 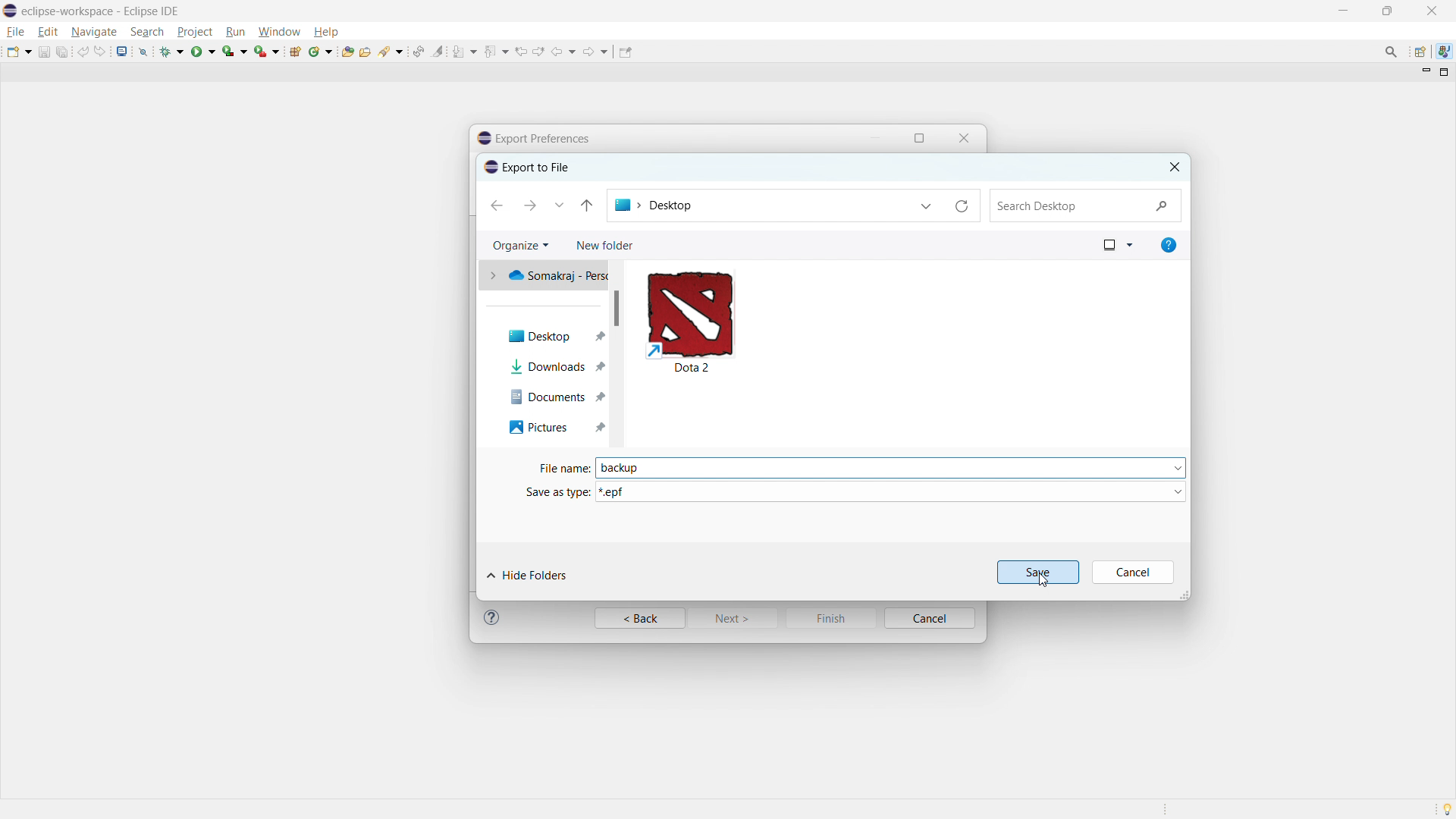 I want to click on Tip of the day, so click(x=1444, y=808).